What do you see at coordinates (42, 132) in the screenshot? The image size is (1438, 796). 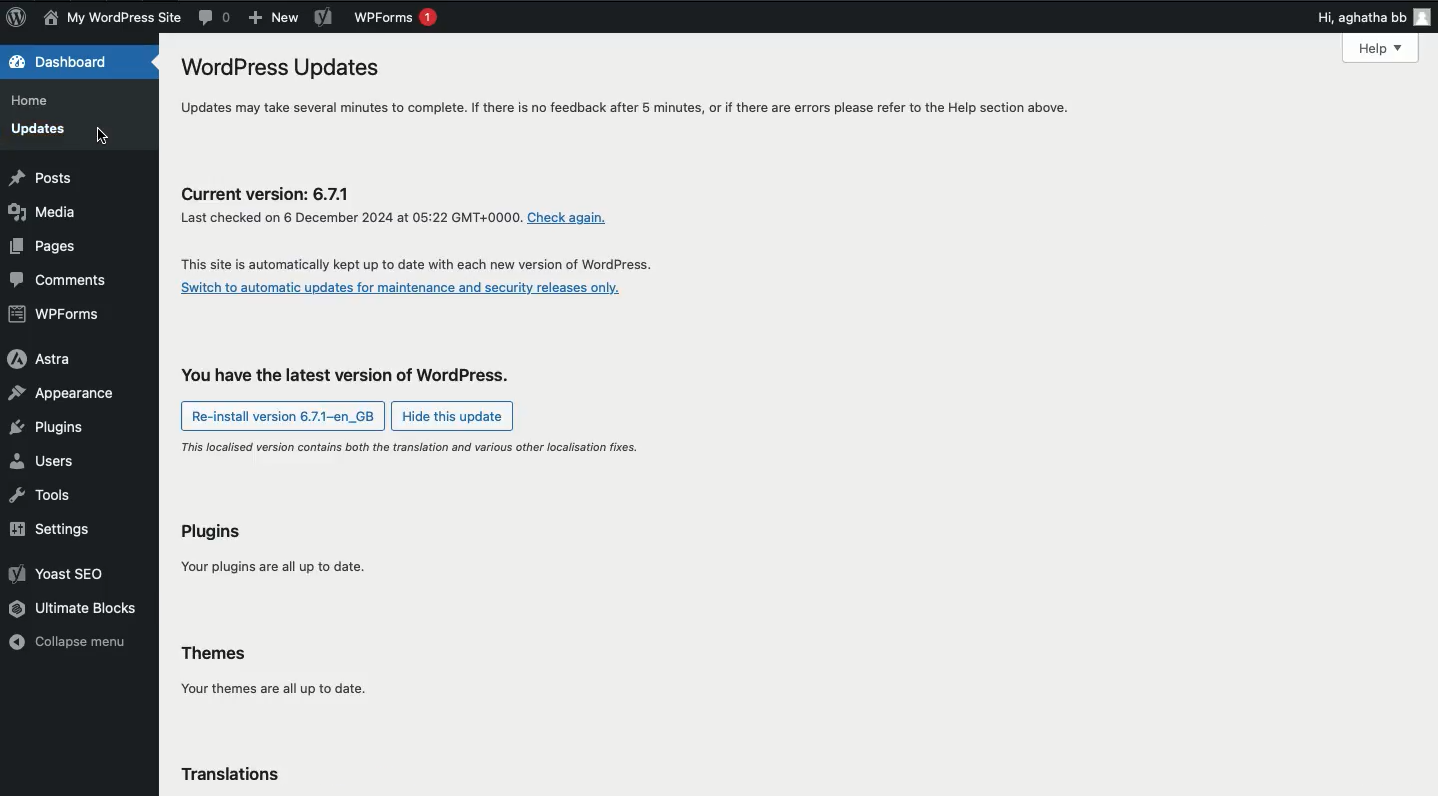 I see `Updates` at bounding box center [42, 132].